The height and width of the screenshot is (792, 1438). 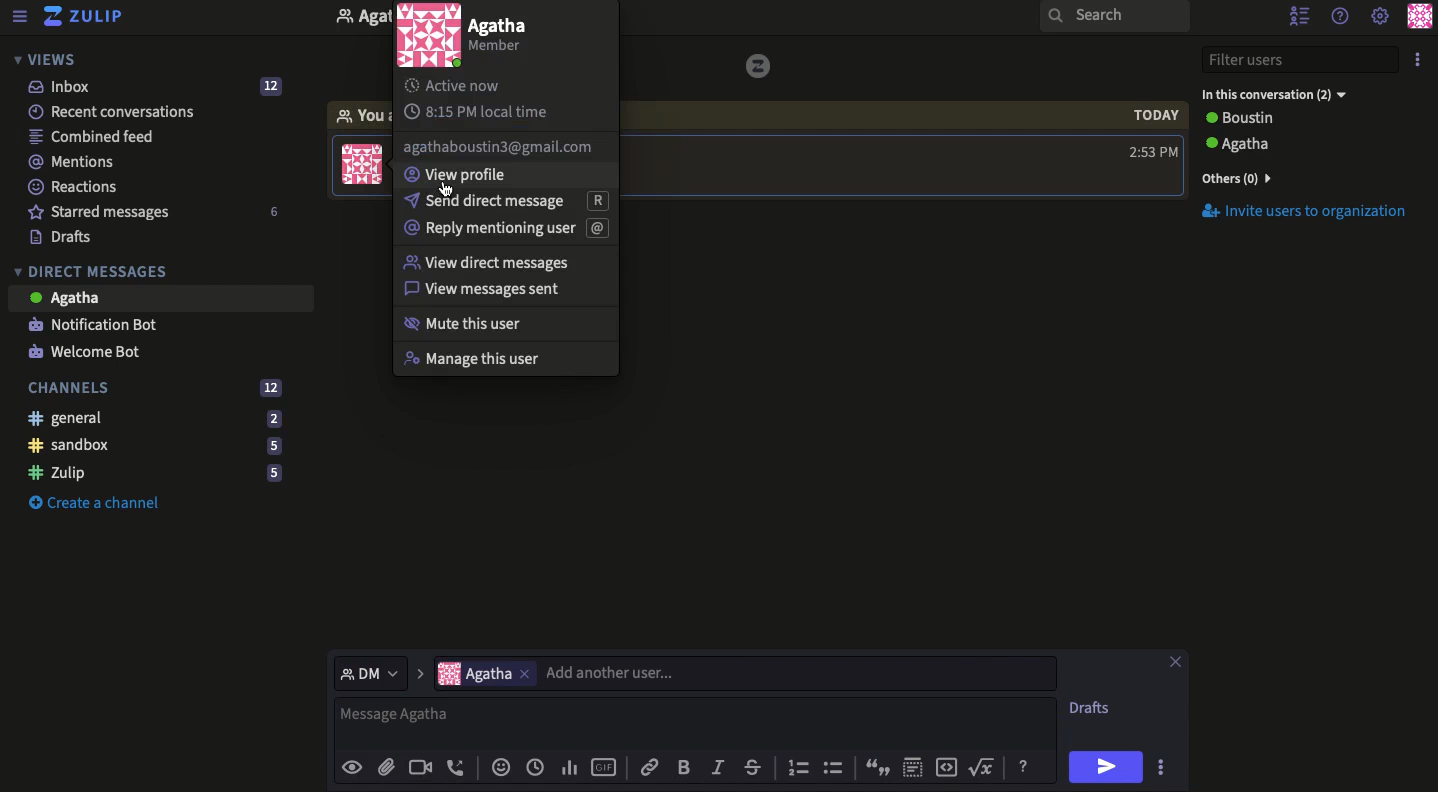 I want to click on Help, so click(x=1341, y=15).